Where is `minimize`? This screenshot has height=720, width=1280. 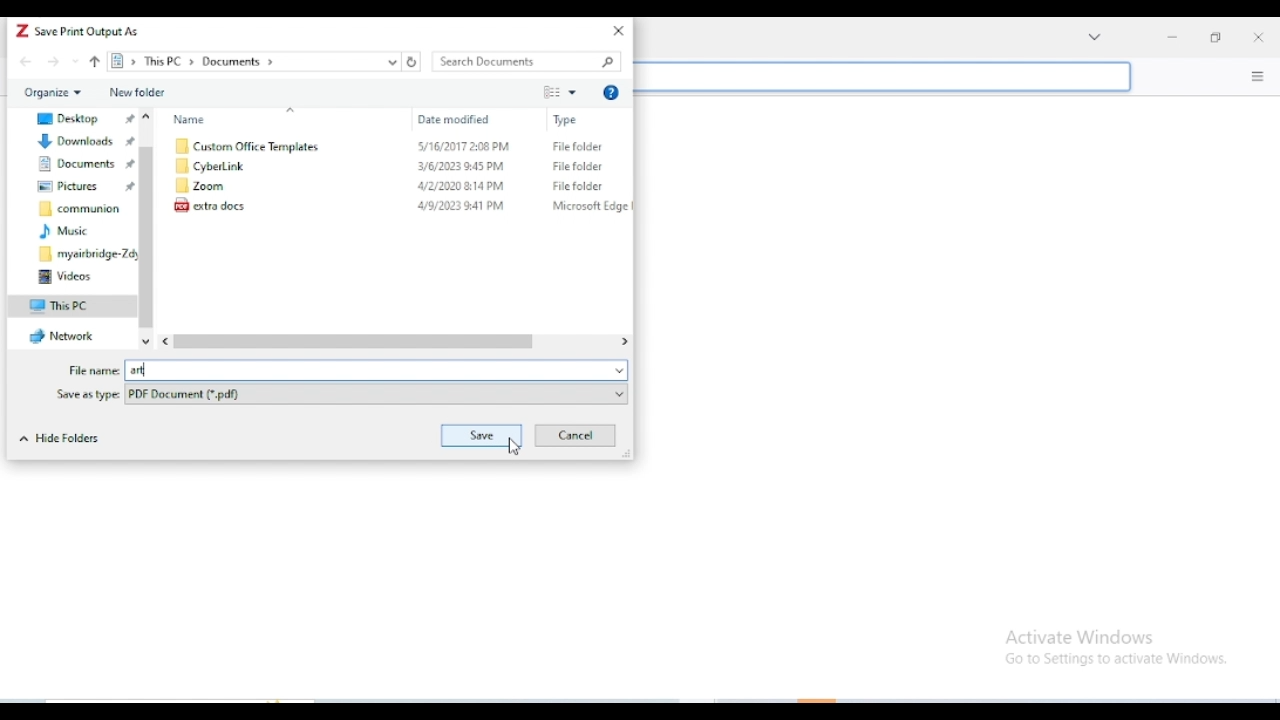
minimize is located at coordinates (1173, 35).